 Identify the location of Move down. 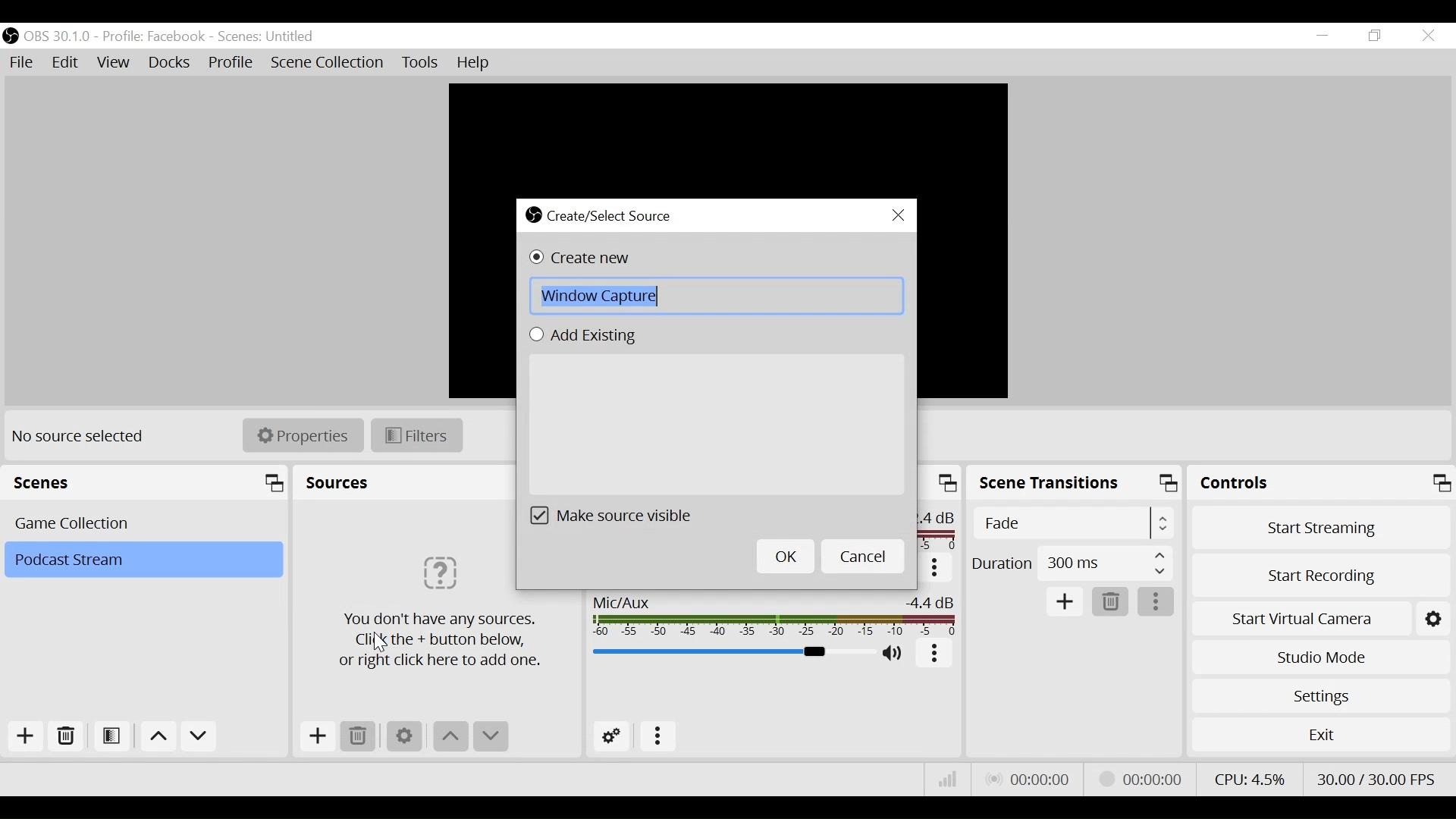
(491, 737).